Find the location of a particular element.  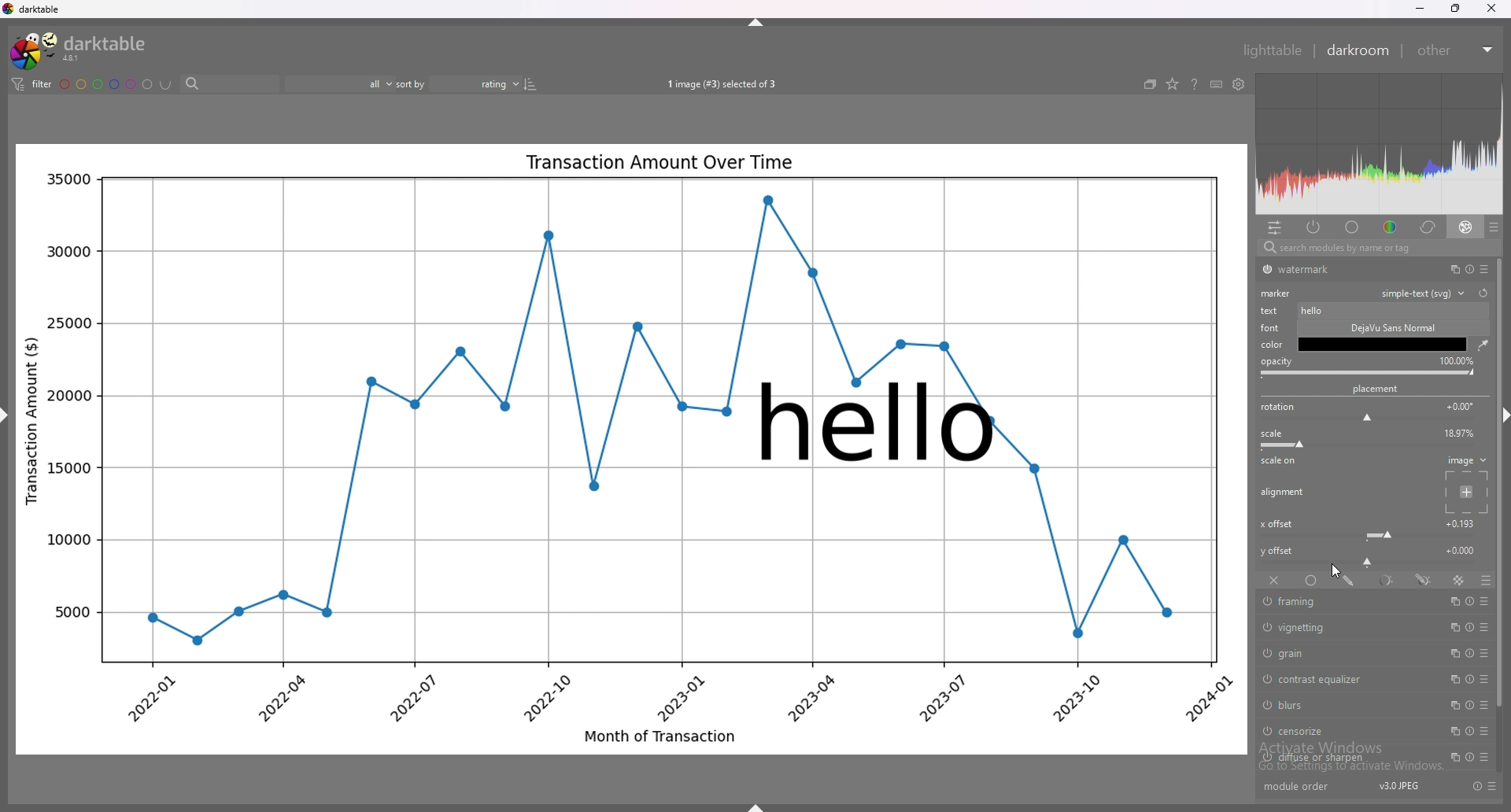

reset is located at coordinates (1483, 293).